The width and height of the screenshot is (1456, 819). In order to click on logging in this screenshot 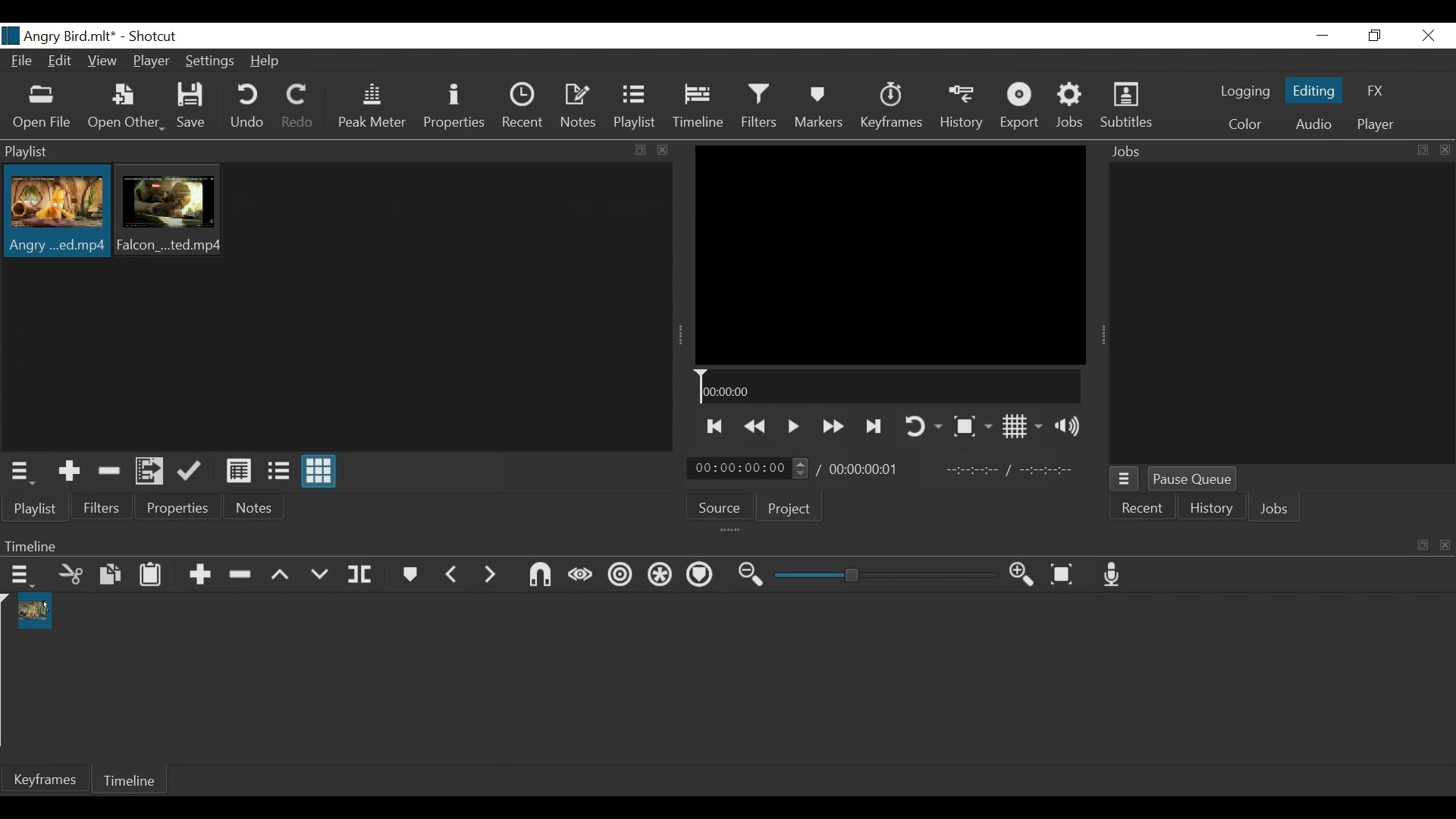, I will do `click(1245, 93)`.